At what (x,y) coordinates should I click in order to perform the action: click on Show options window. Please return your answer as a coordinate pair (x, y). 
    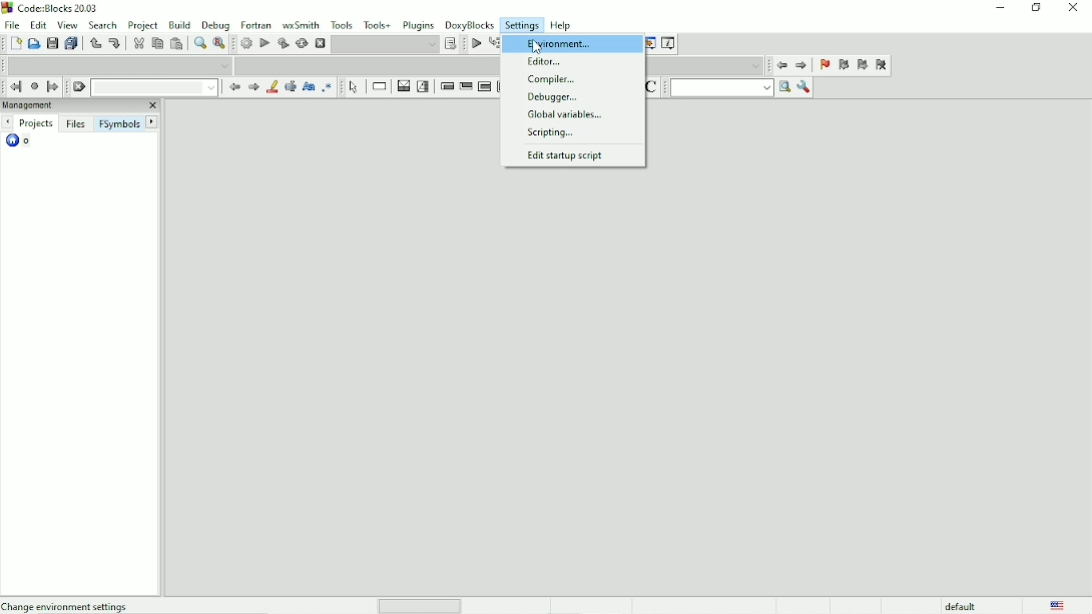
    Looking at the image, I should click on (804, 88).